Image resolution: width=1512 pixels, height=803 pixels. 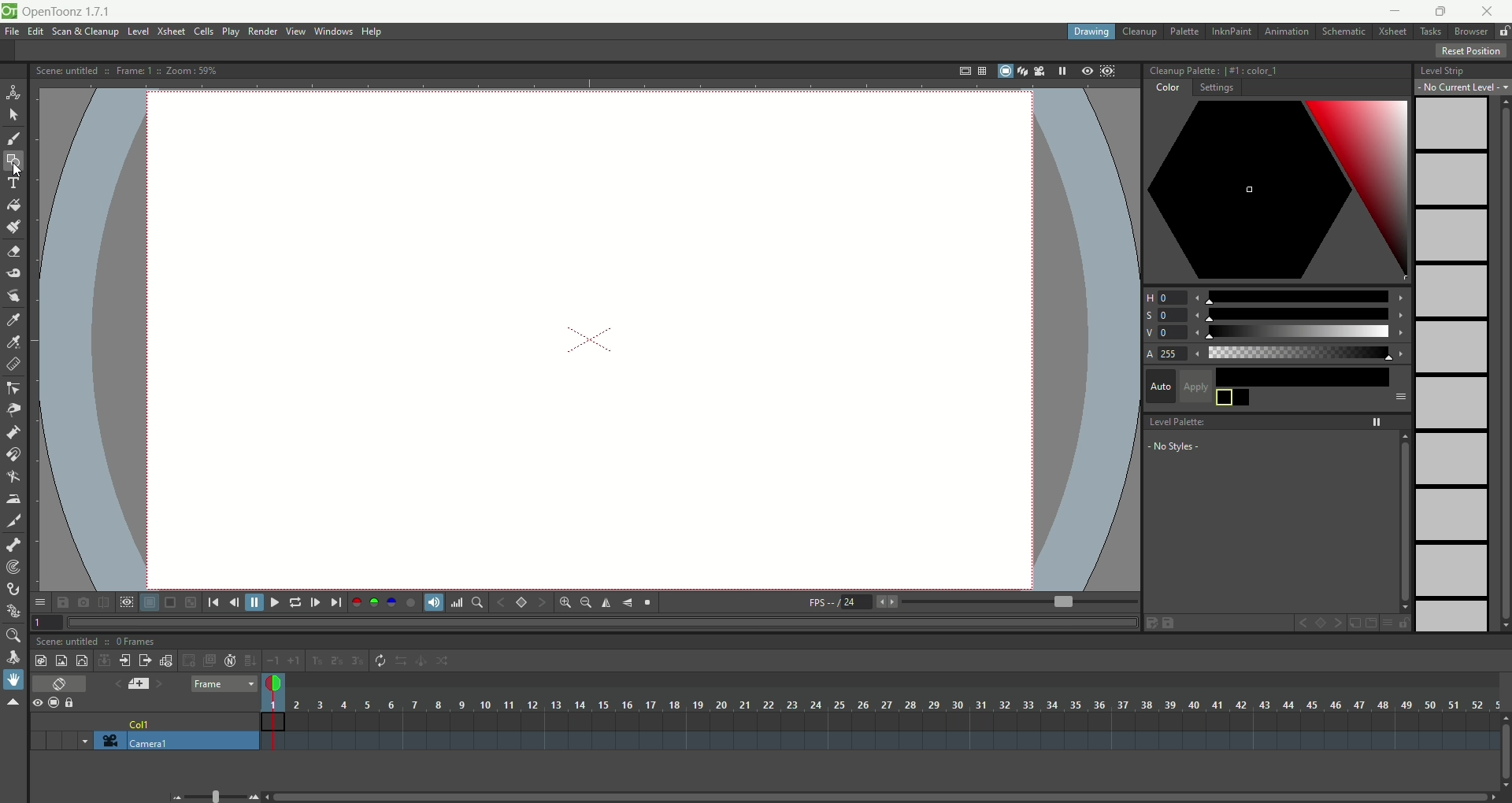 I want to click on bender, so click(x=13, y=479).